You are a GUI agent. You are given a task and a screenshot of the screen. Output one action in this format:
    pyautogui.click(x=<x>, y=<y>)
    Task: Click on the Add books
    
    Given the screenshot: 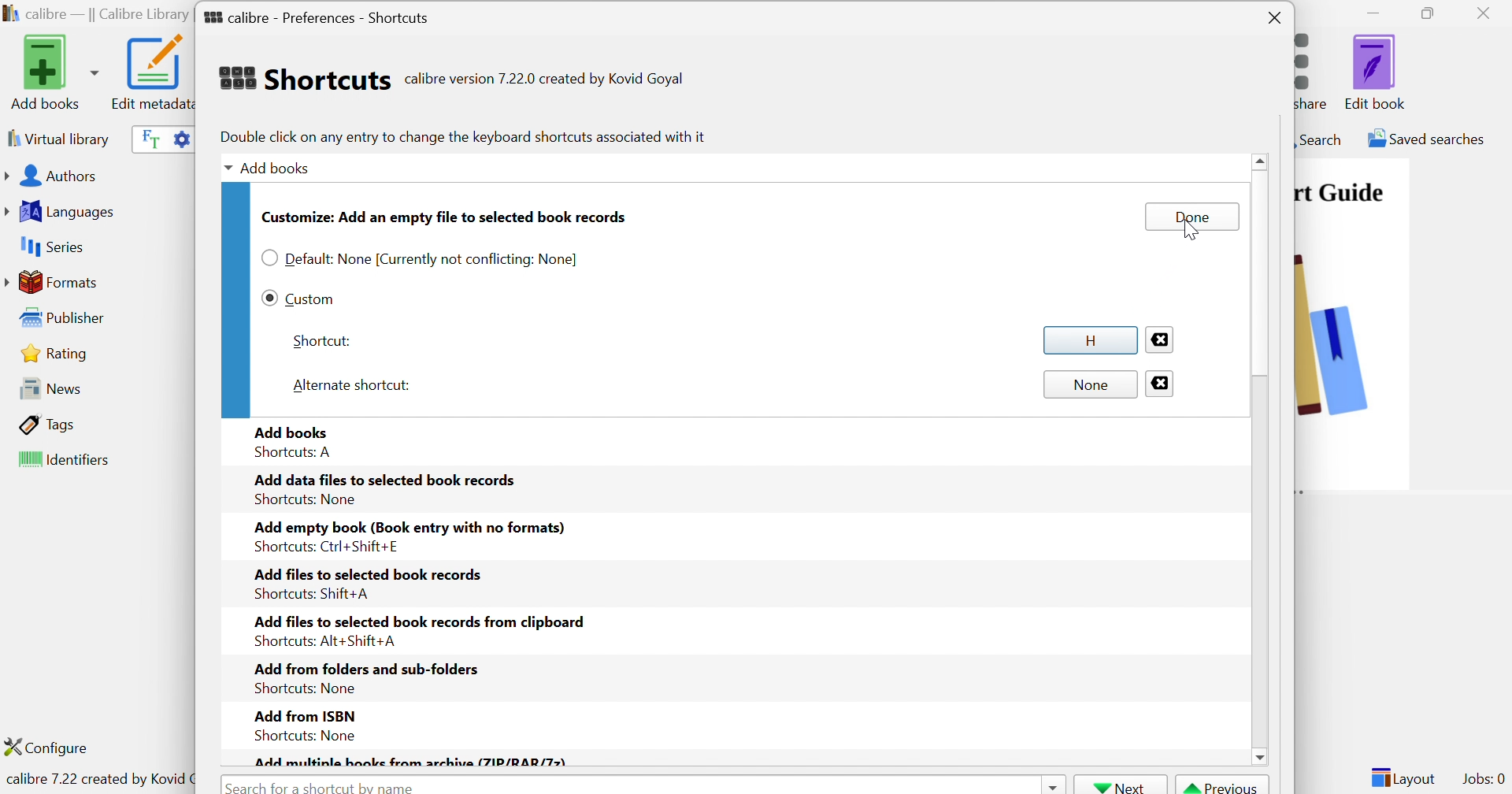 What is the action you would take?
    pyautogui.click(x=52, y=72)
    